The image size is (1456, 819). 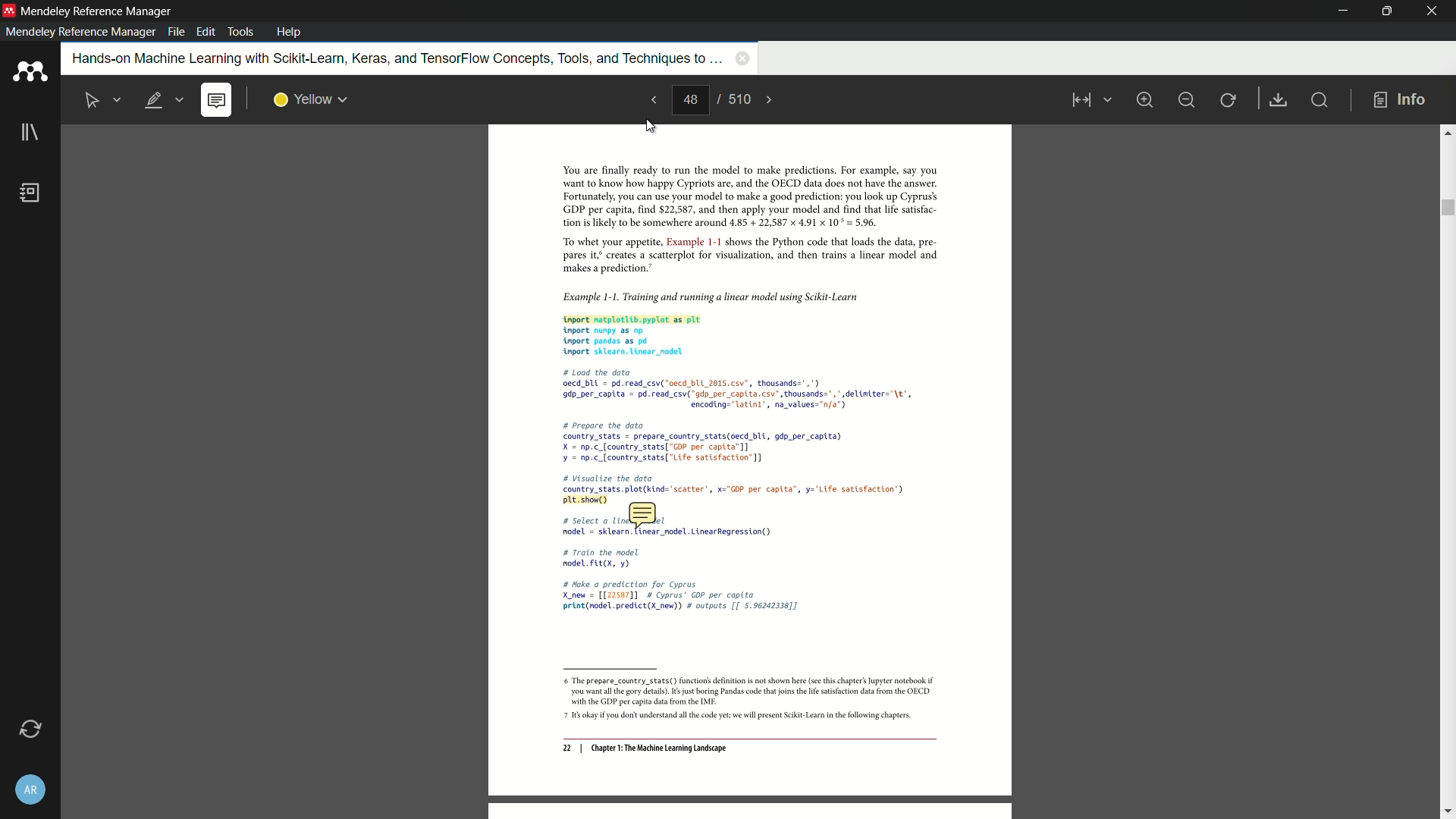 What do you see at coordinates (9, 10) in the screenshot?
I see `app icon` at bounding box center [9, 10].